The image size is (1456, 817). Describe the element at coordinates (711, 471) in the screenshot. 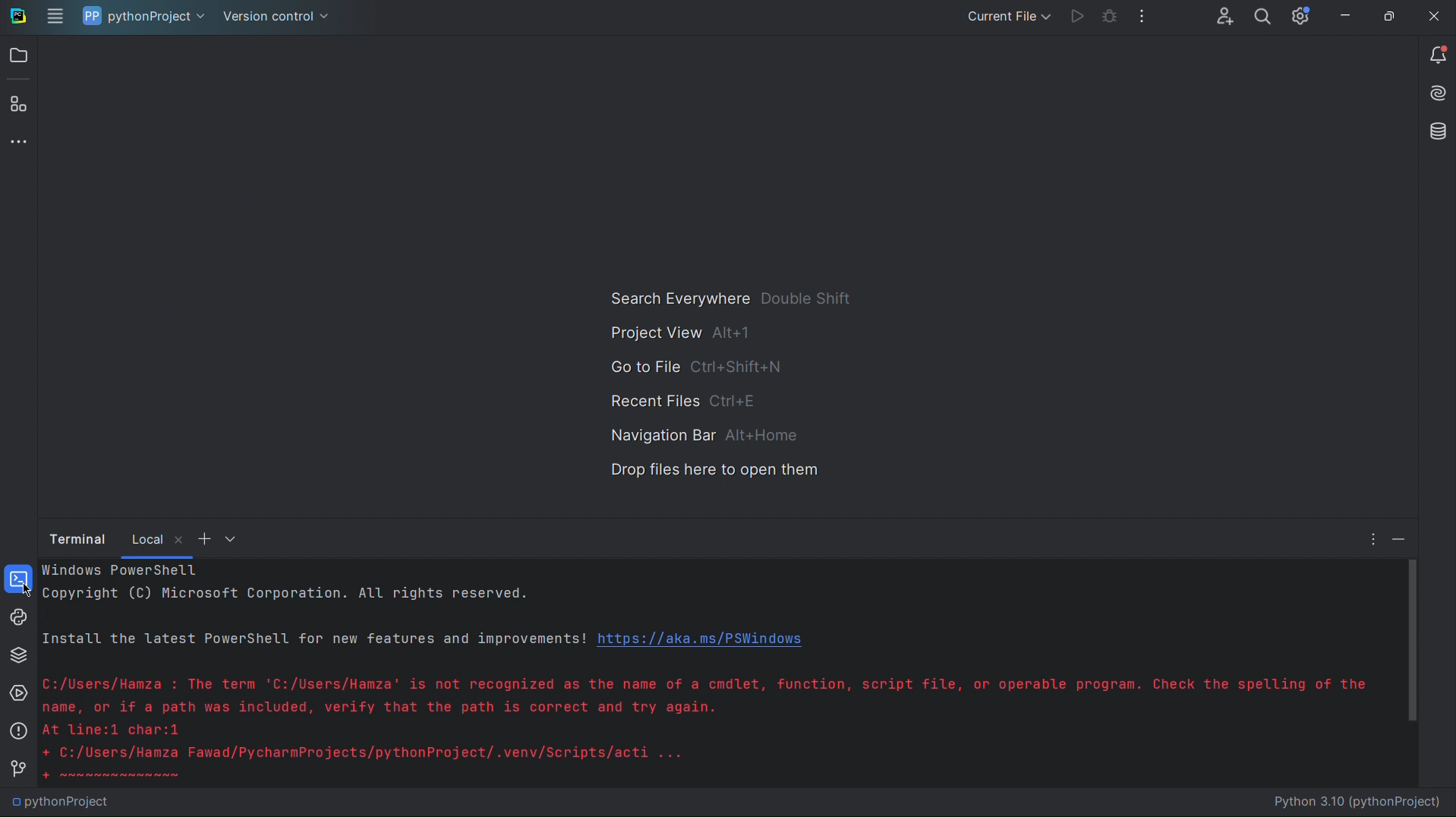

I see `Drop files here to open them` at that location.